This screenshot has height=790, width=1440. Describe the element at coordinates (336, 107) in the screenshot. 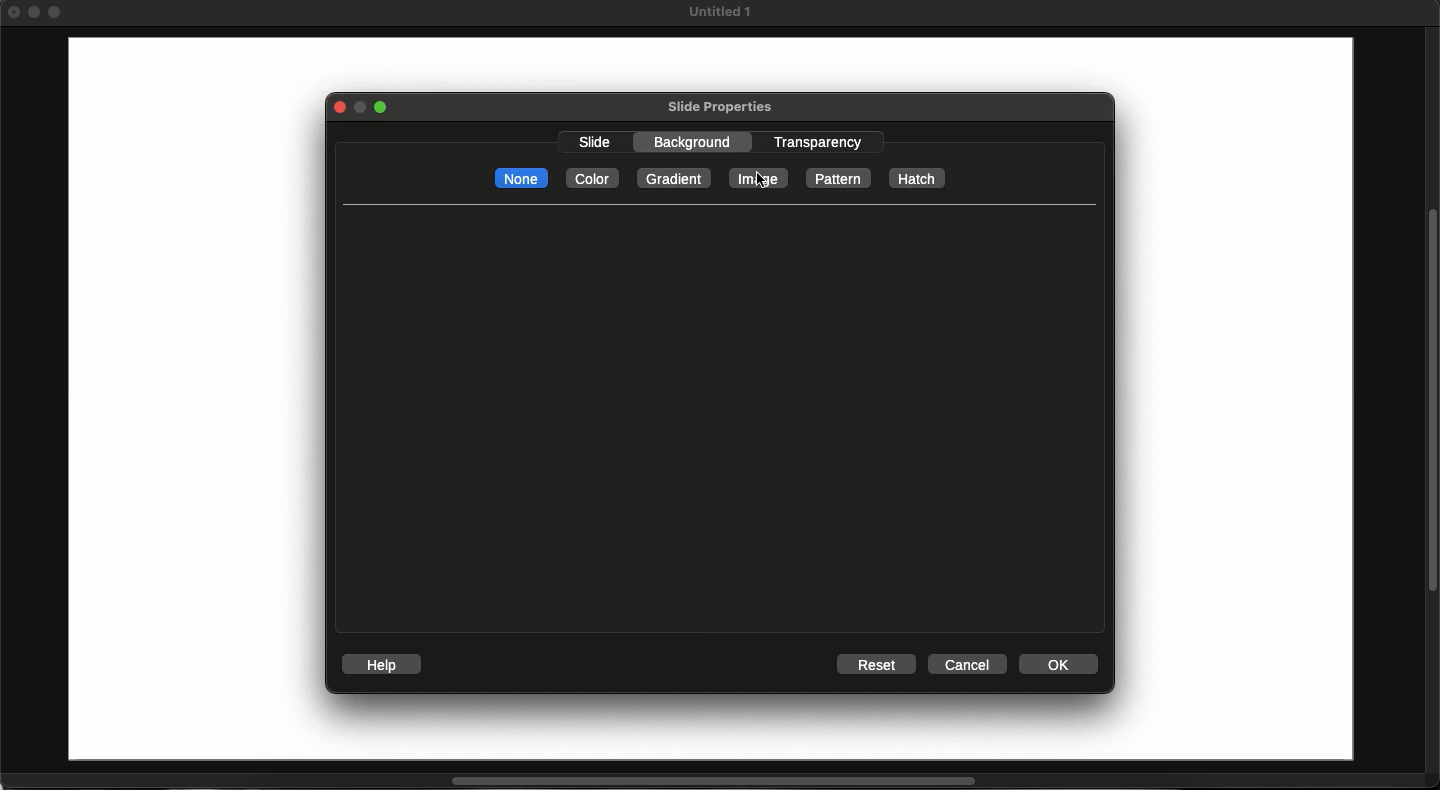

I see `Close` at that location.